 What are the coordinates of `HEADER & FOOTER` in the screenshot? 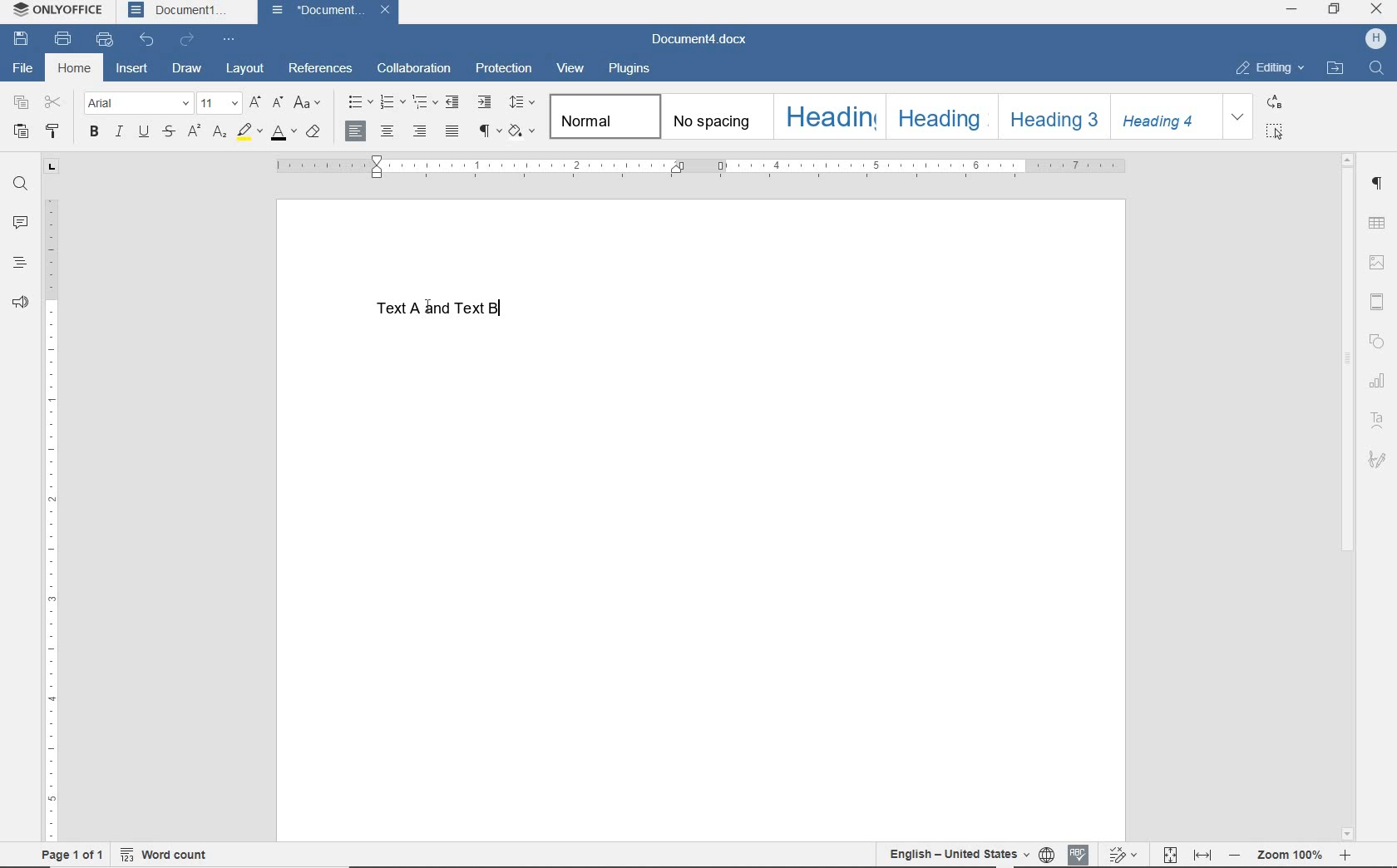 It's located at (1377, 302).